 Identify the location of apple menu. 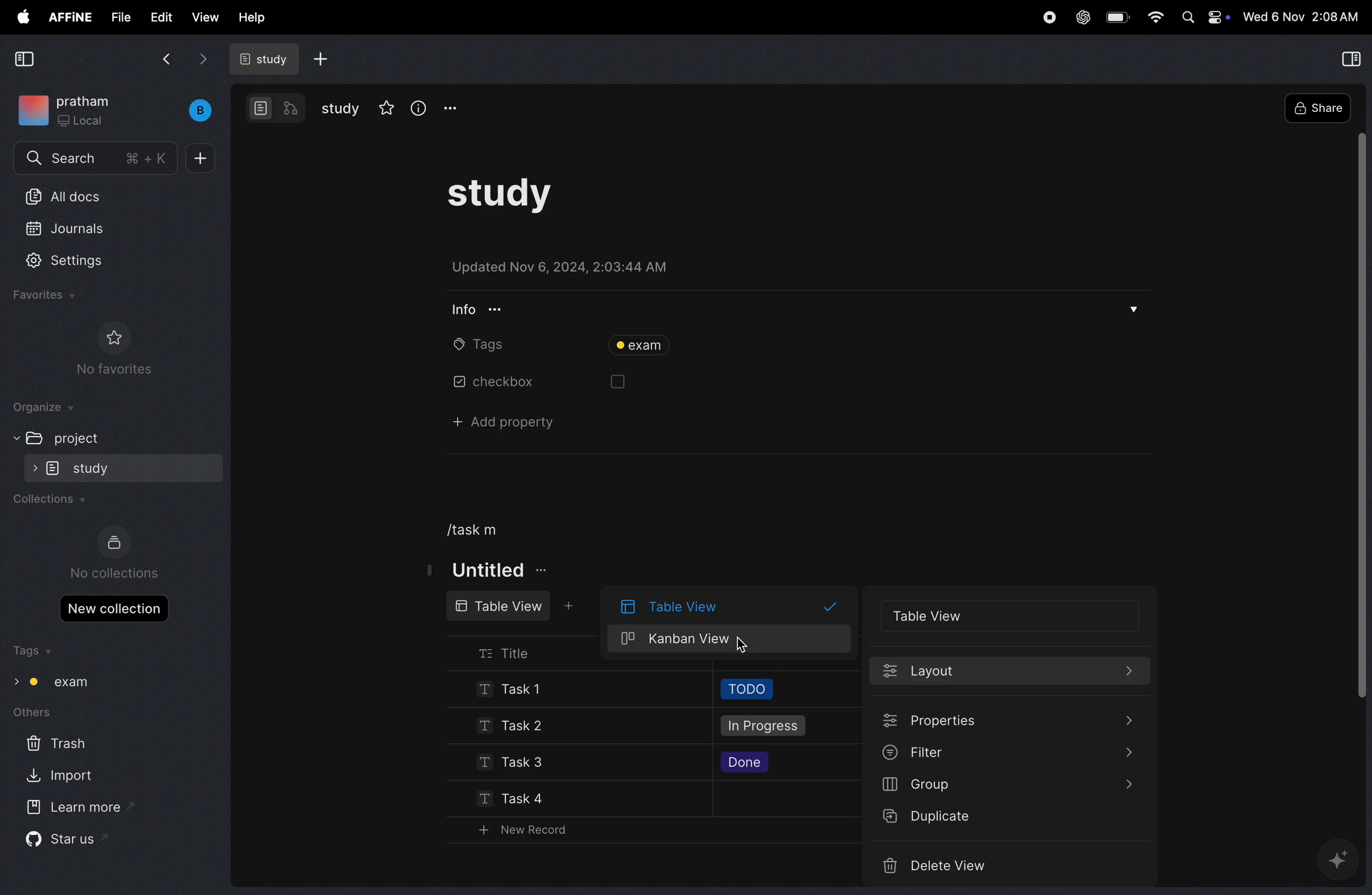
(19, 17).